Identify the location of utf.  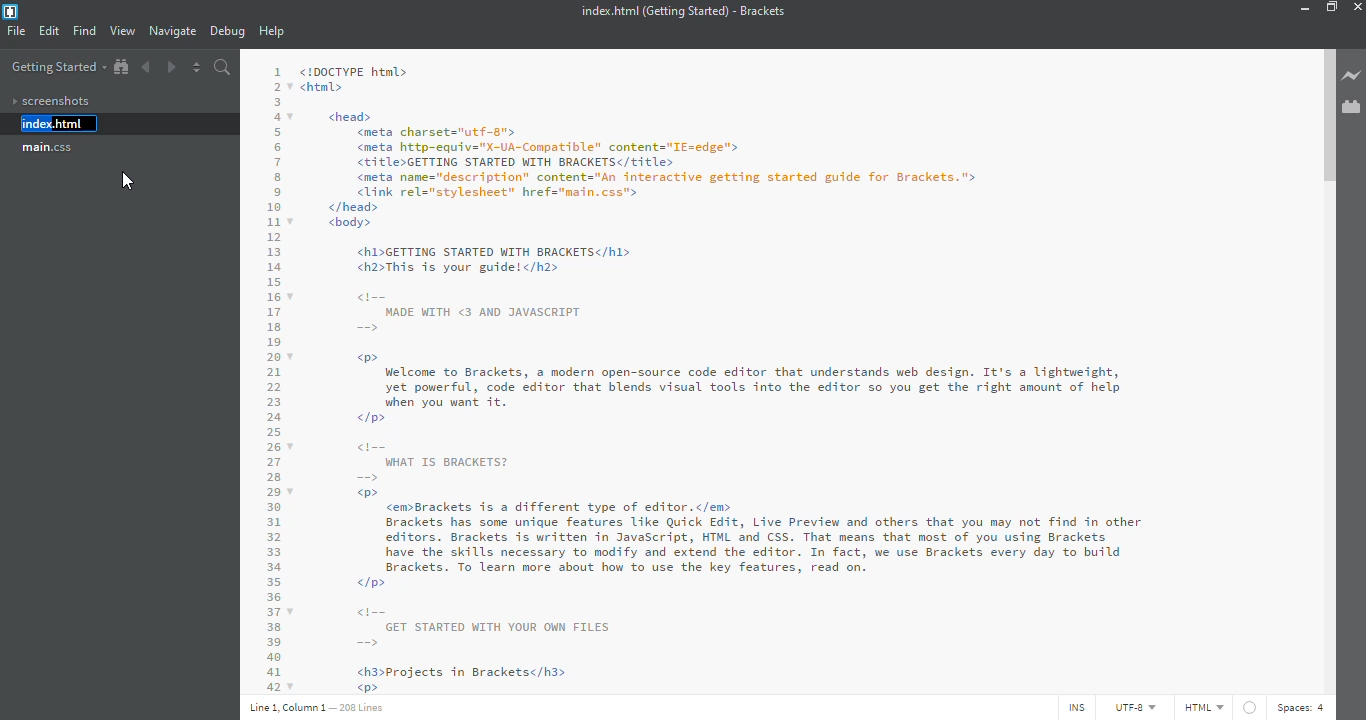
(1128, 708).